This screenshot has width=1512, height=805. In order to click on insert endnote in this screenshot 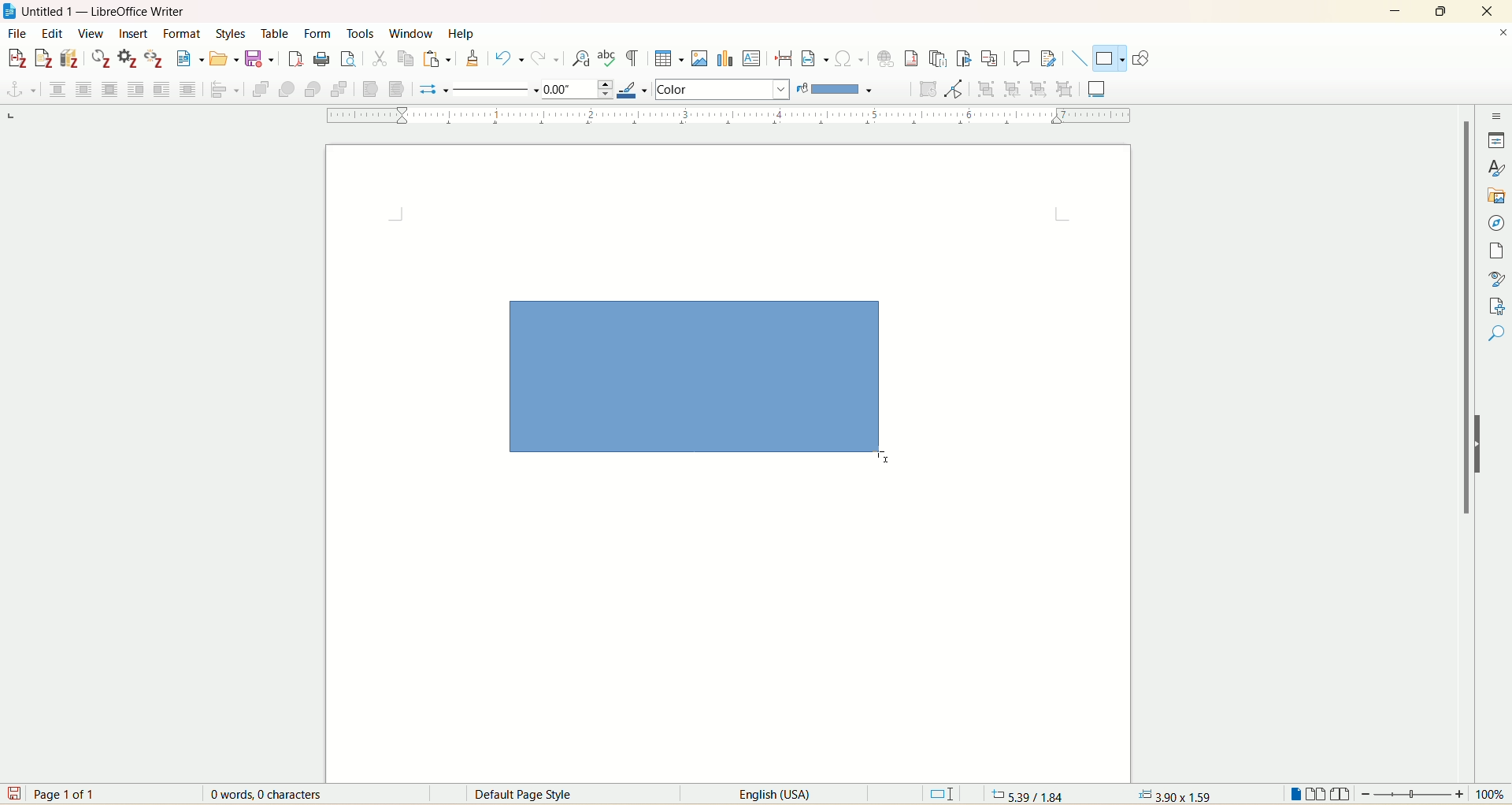, I will do `click(941, 58)`.